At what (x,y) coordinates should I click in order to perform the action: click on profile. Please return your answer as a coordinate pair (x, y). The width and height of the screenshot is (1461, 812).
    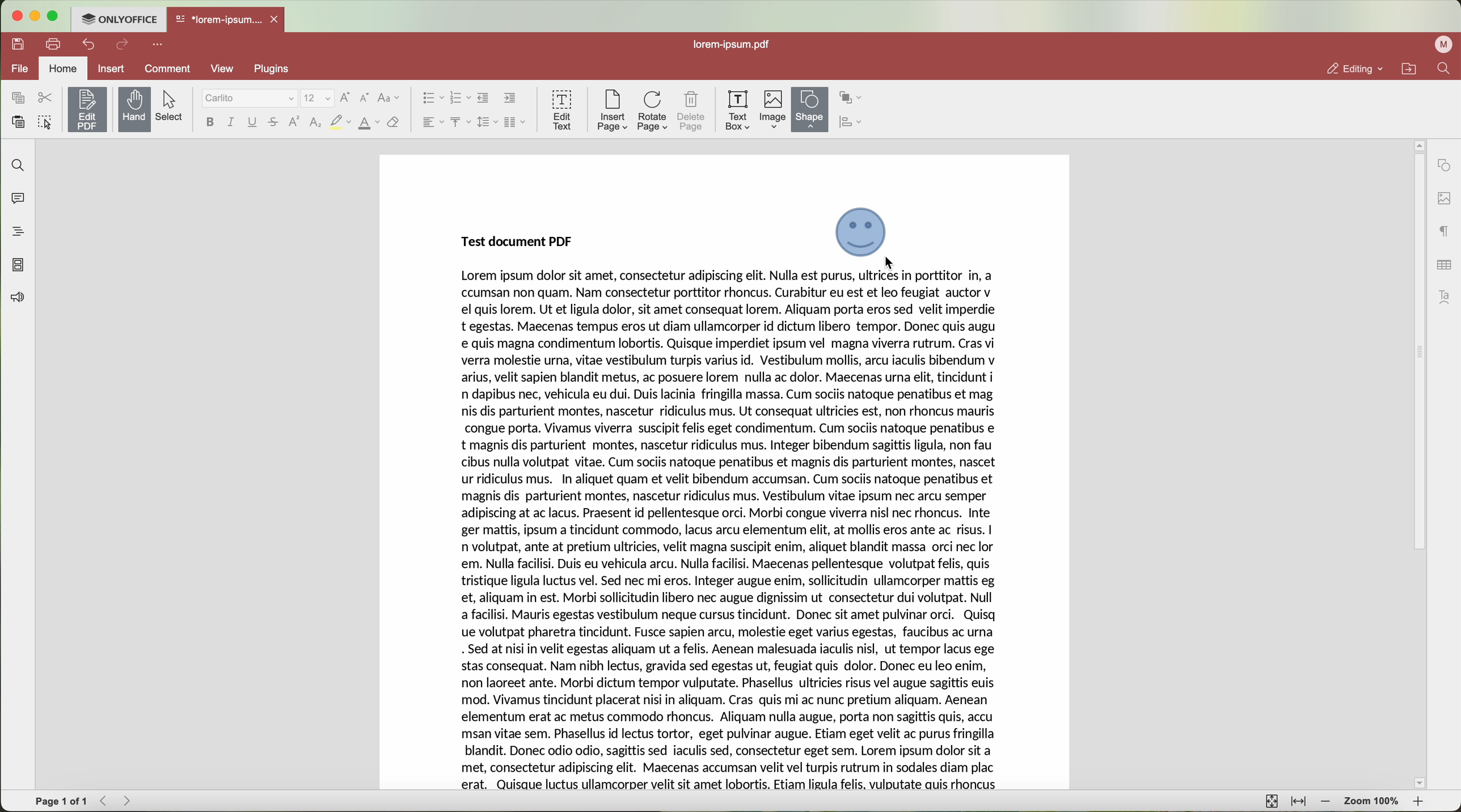
    Looking at the image, I should click on (1441, 45).